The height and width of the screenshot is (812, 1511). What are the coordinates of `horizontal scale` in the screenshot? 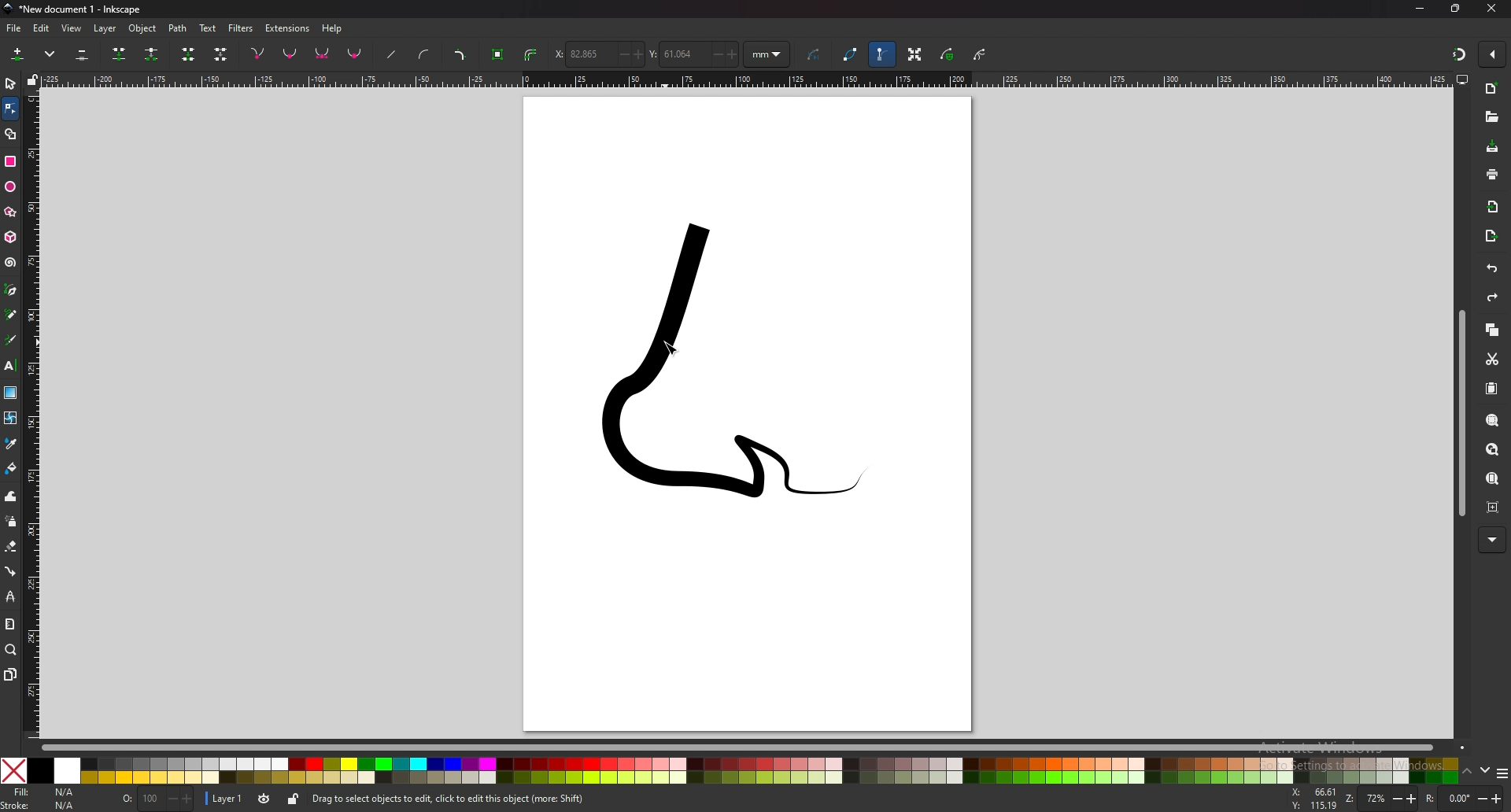 It's located at (744, 81).